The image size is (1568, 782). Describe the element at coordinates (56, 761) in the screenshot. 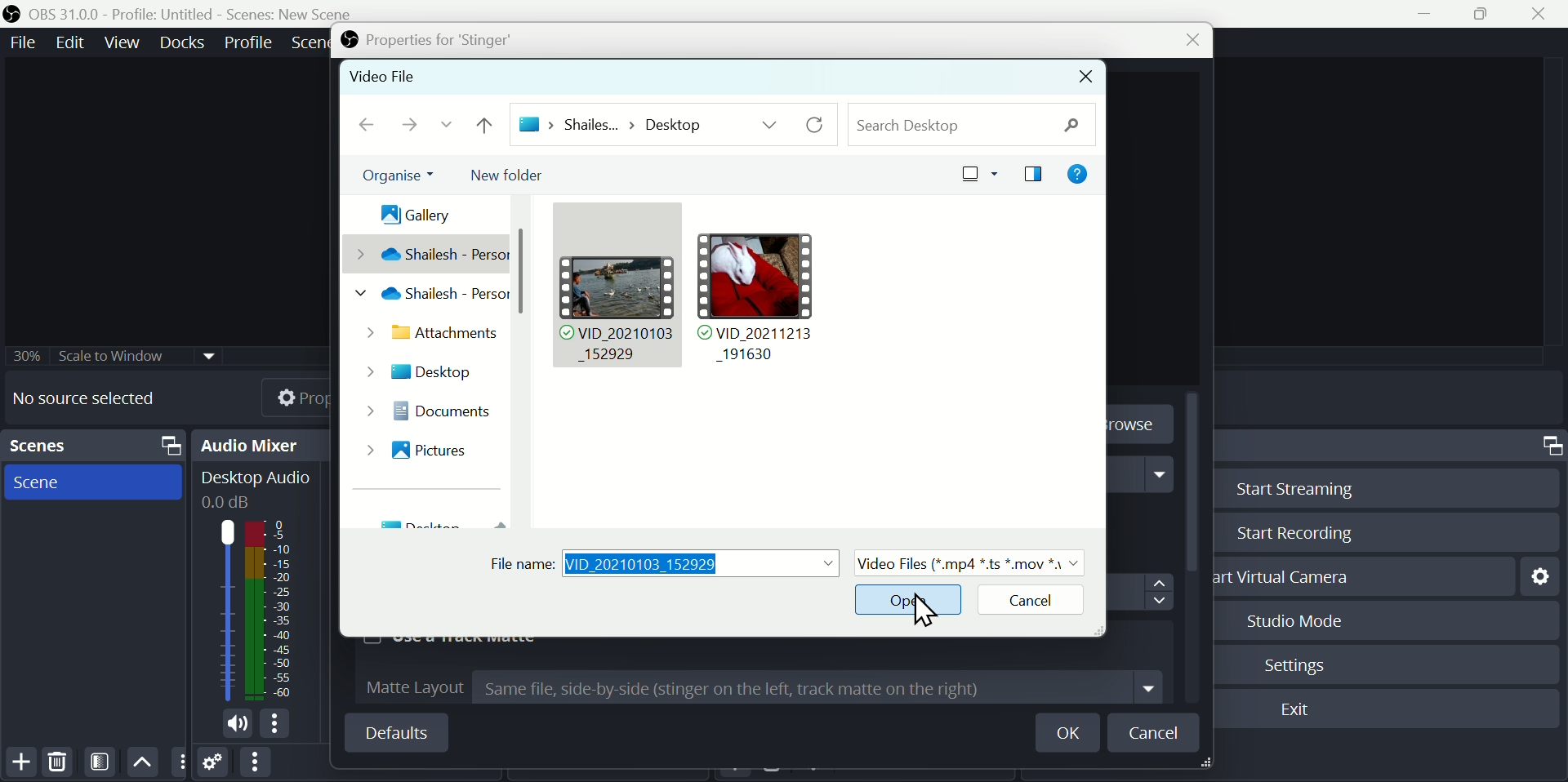

I see `Delete` at that location.